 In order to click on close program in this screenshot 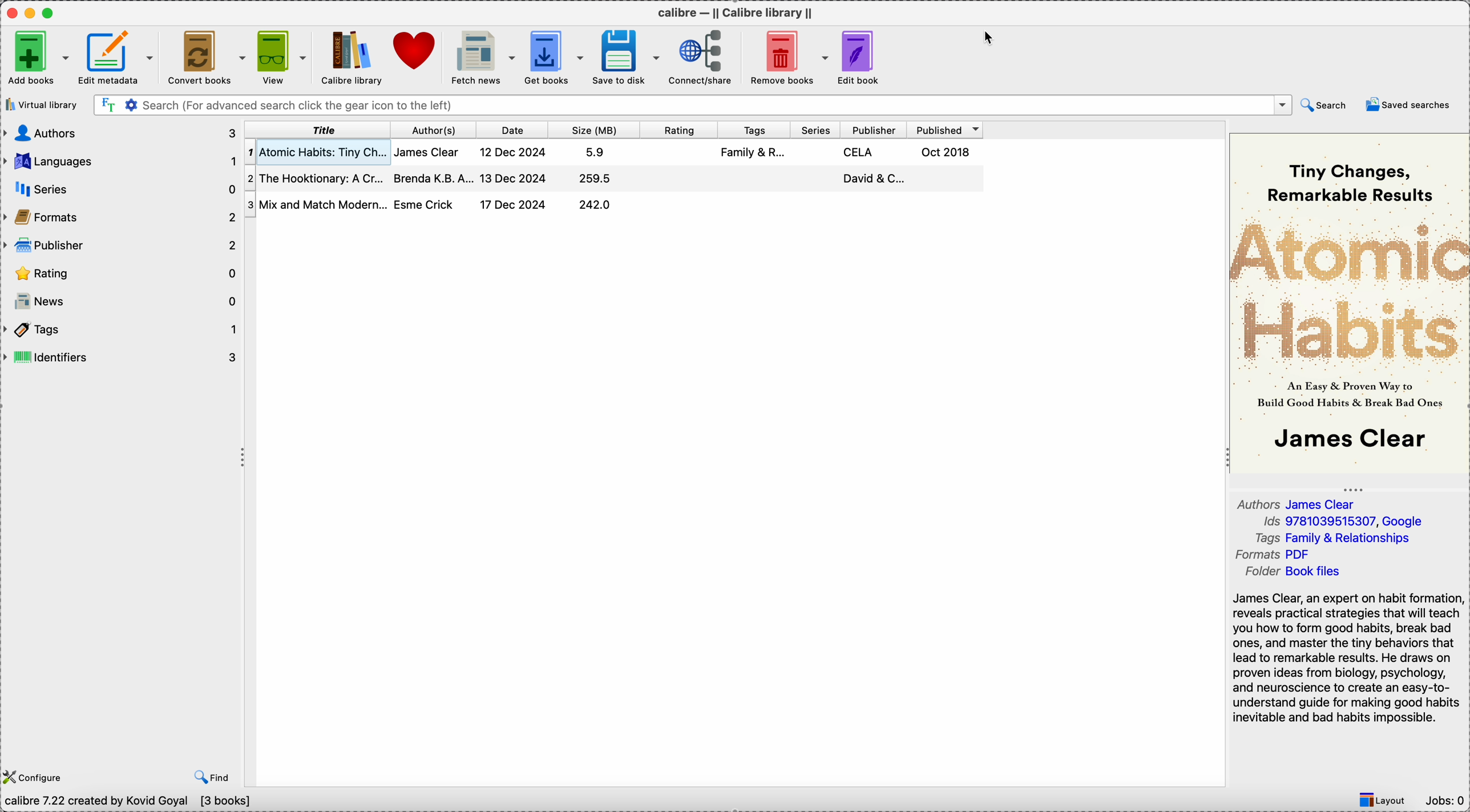, I will do `click(11, 11)`.